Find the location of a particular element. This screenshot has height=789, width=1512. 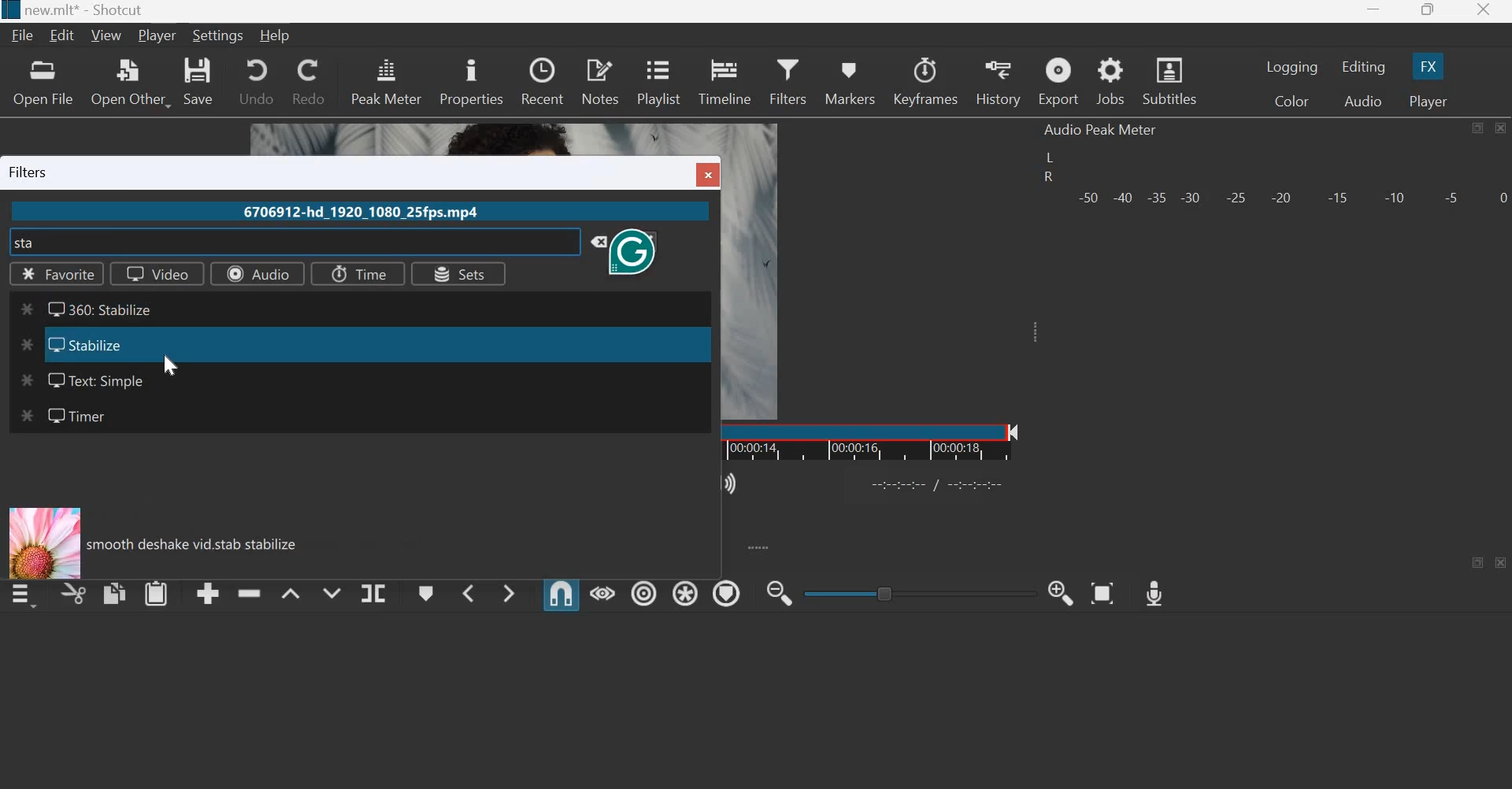

Ripple Markers is located at coordinates (727, 593).